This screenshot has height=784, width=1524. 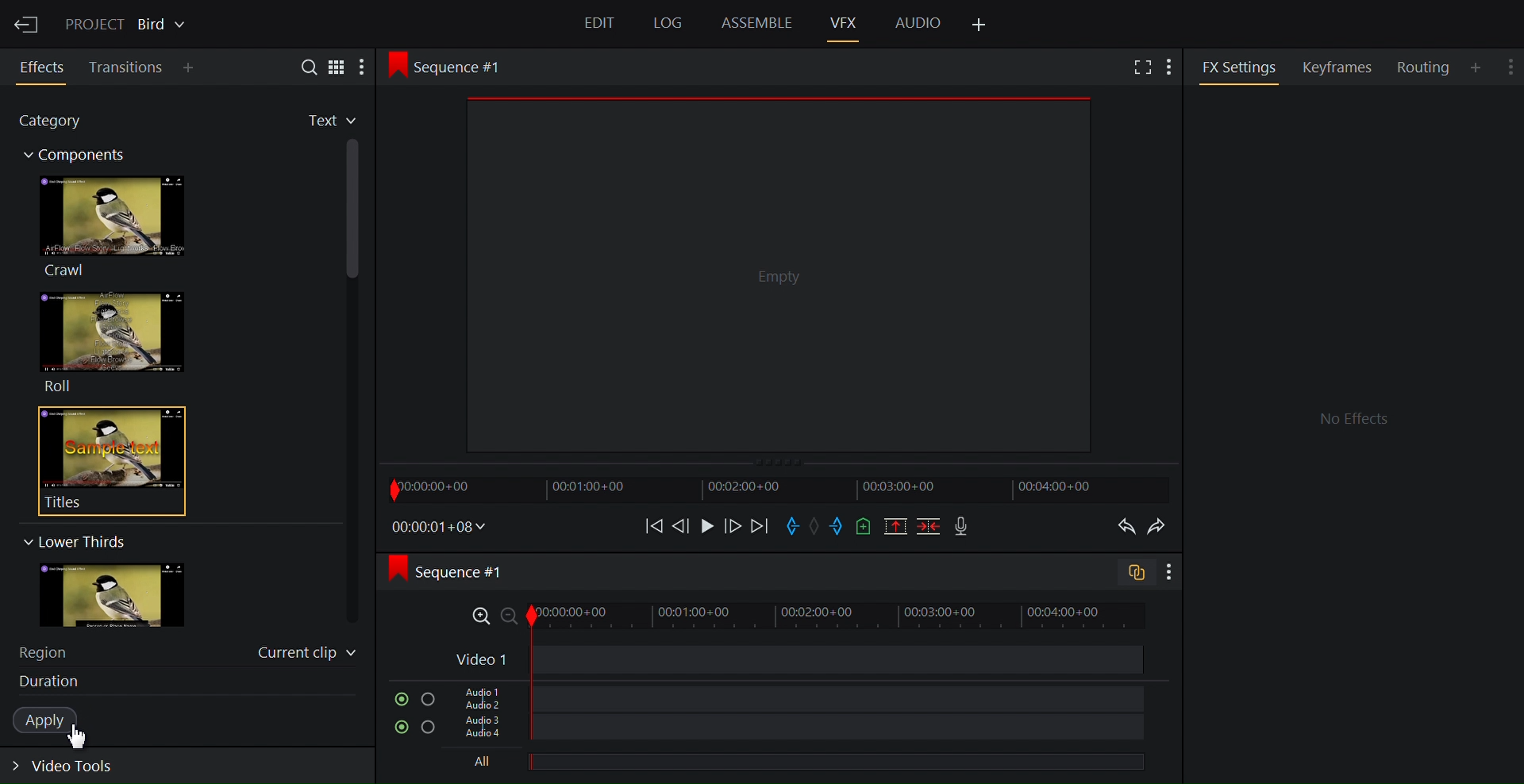 I want to click on Components, so click(x=82, y=157).